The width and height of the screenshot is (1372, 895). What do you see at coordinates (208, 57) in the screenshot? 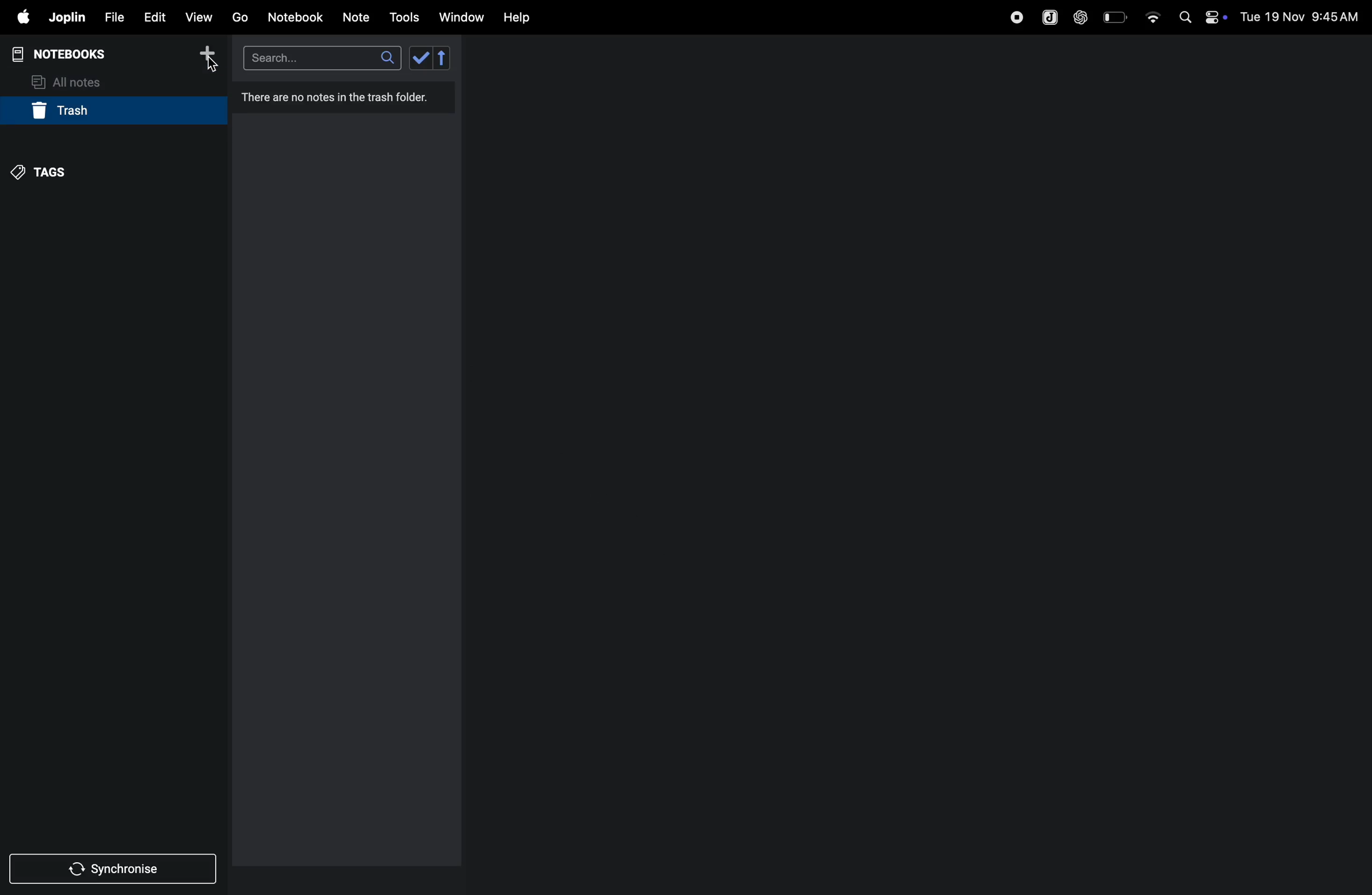
I see `add` at bounding box center [208, 57].